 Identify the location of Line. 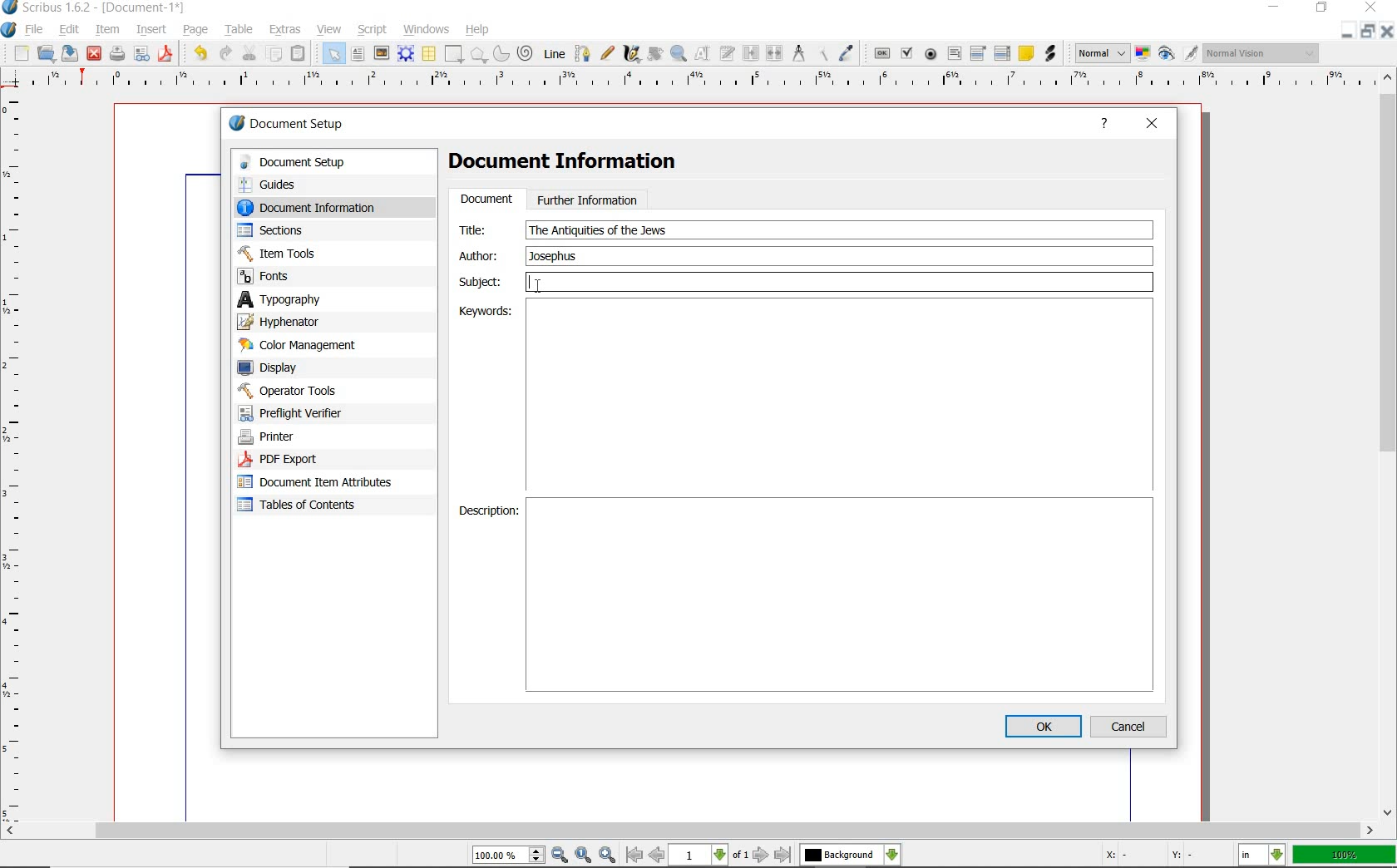
(554, 54).